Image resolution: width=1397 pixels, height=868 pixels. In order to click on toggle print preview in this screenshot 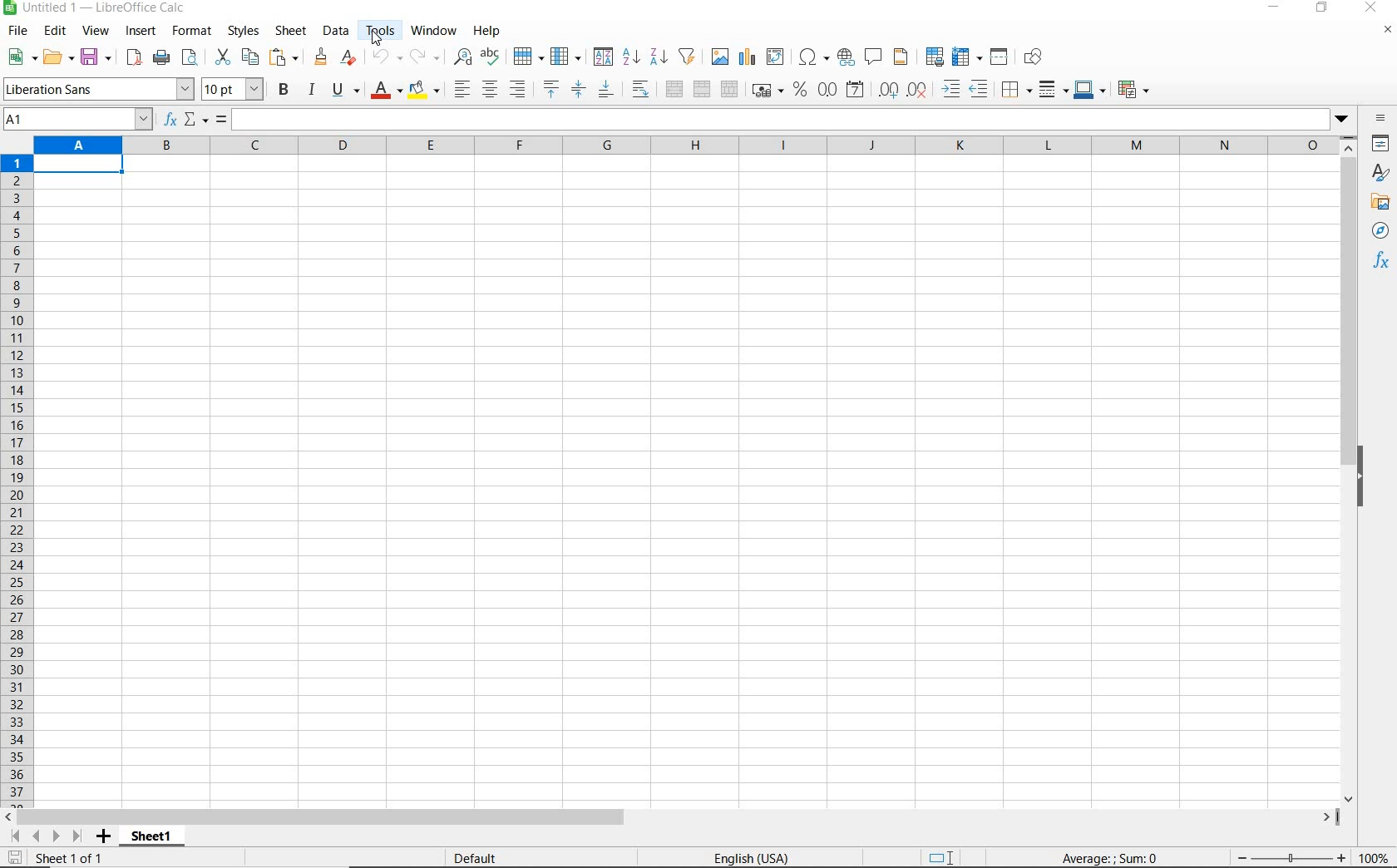, I will do `click(190, 57)`.